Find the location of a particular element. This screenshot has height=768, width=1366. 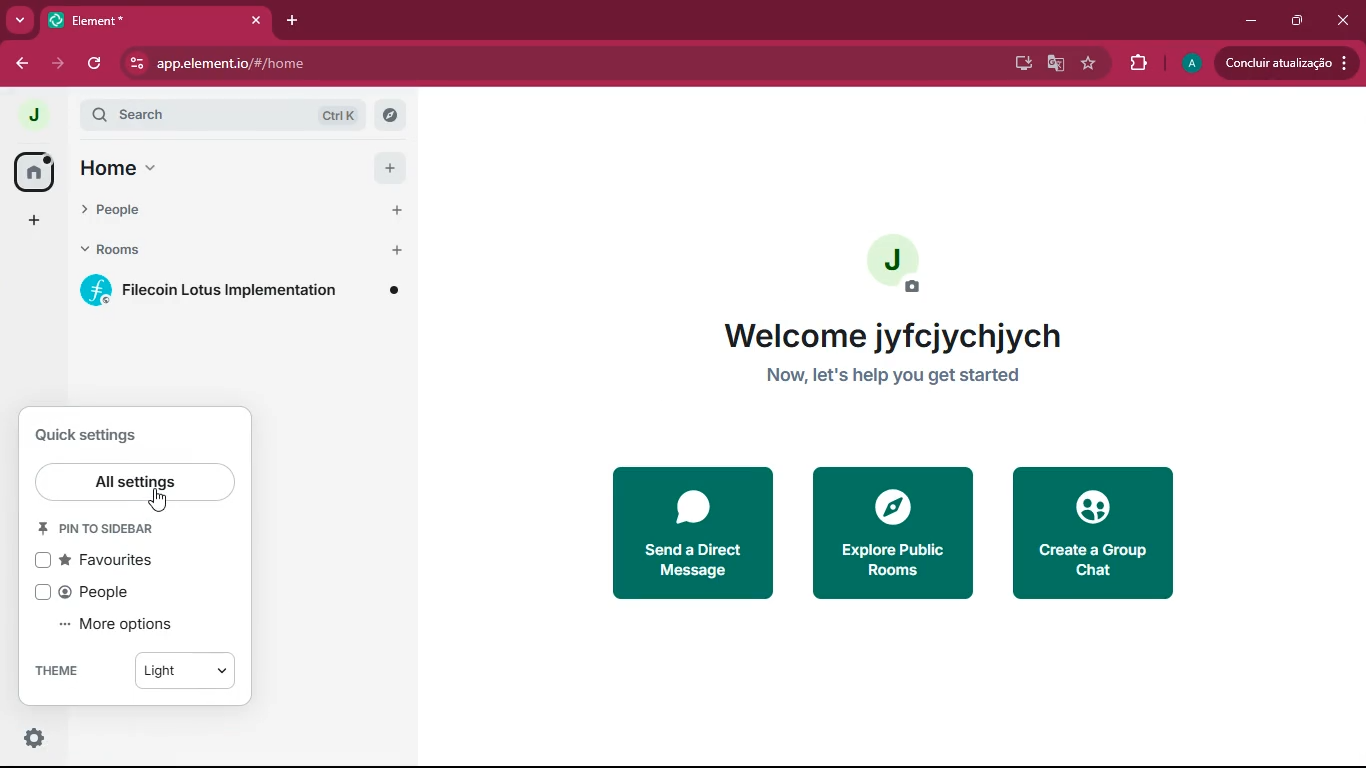

send a direct message is located at coordinates (689, 534).